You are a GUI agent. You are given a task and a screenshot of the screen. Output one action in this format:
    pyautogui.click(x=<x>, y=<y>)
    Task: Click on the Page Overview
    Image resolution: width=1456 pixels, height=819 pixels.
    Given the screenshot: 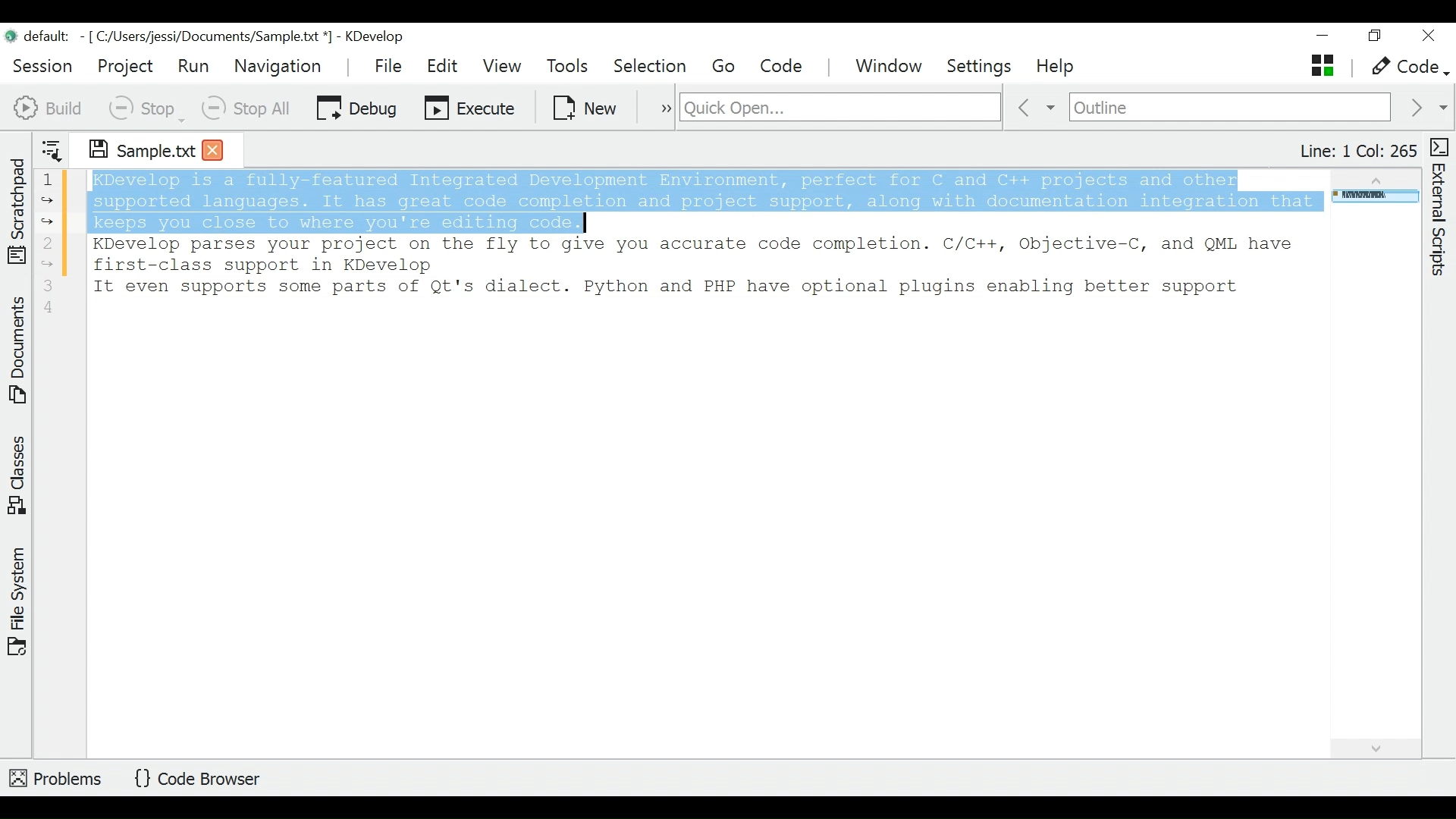 What is the action you would take?
    pyautogui.click(x=1373, y=198)
    